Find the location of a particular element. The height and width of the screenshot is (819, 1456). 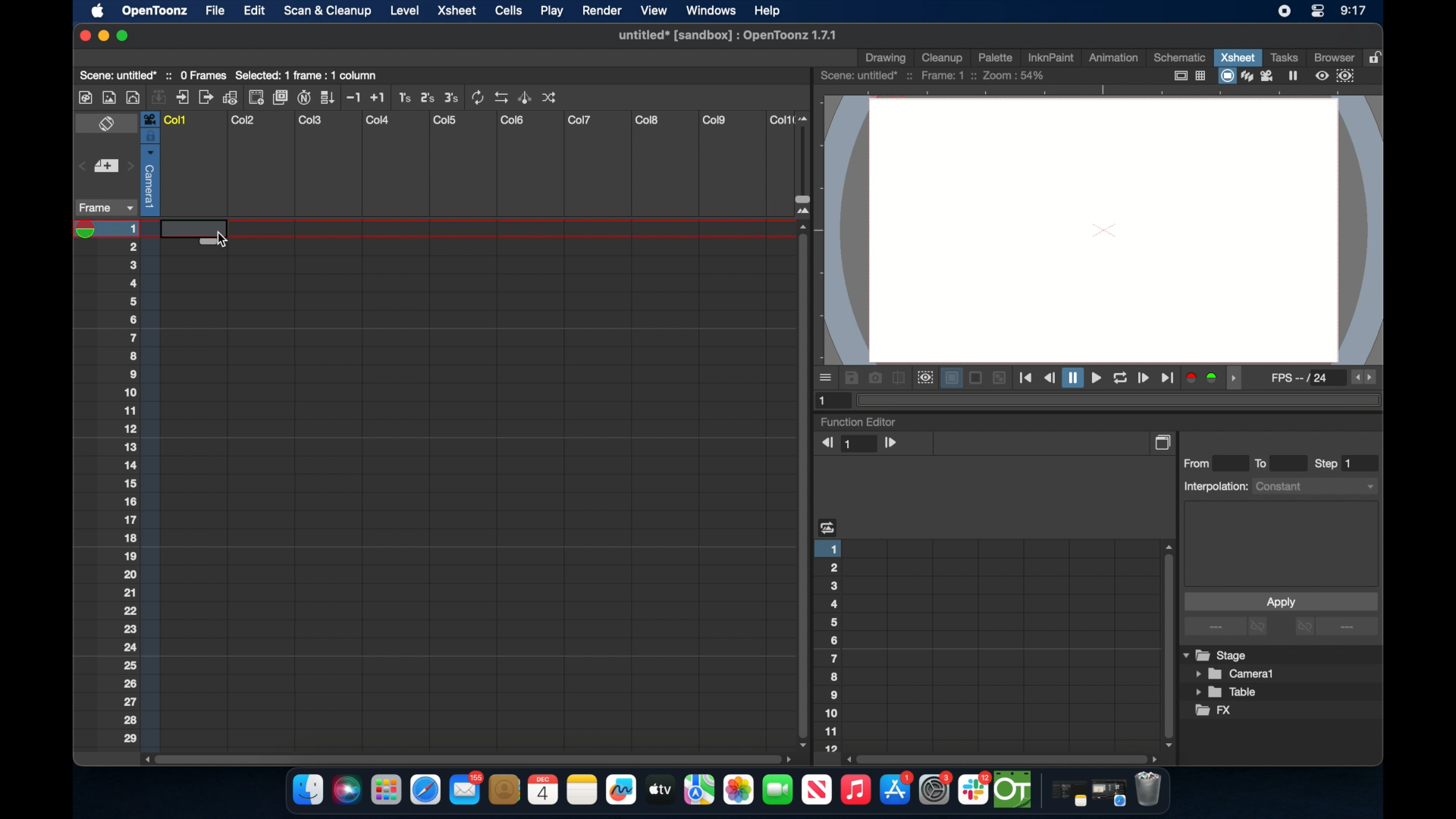

render is located at coordinates (602, 11).